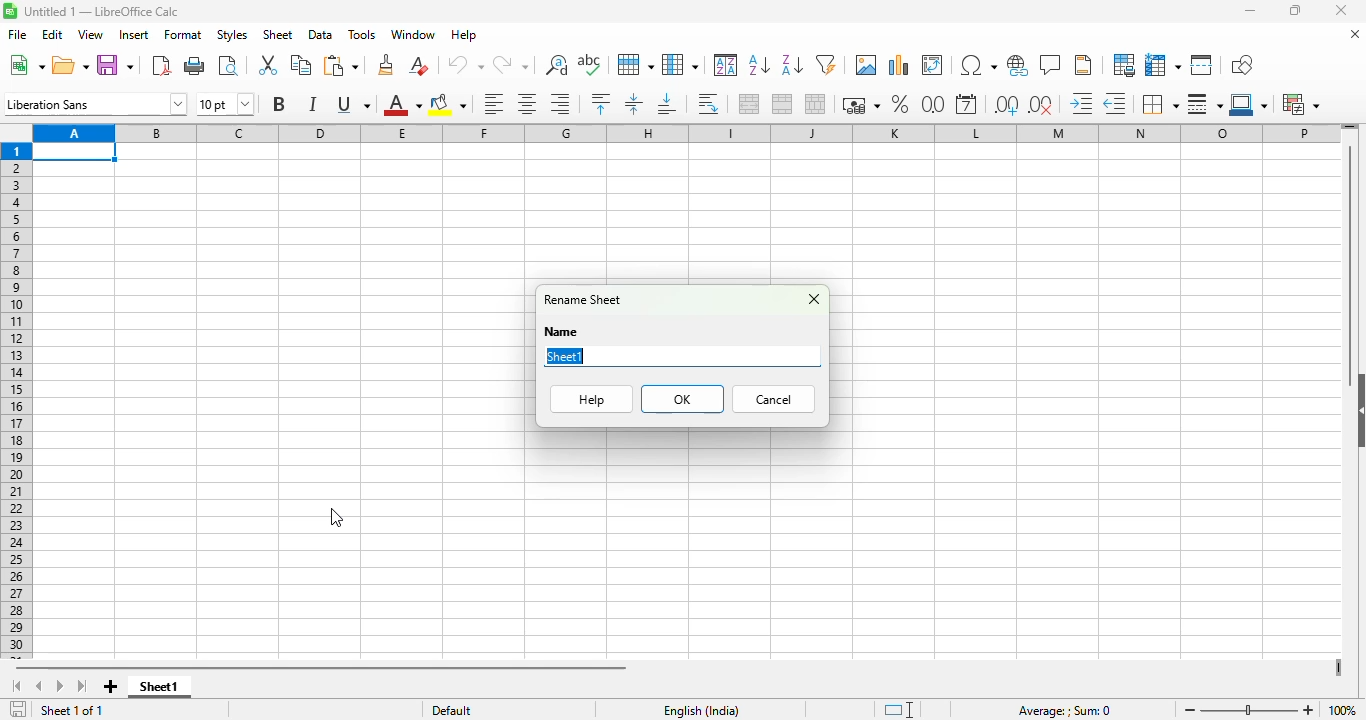 This screenshot has height=720, width=1366. Describe the element at coordinates (815, 103) in the screenshot. I see `unmerge cells` at that location.